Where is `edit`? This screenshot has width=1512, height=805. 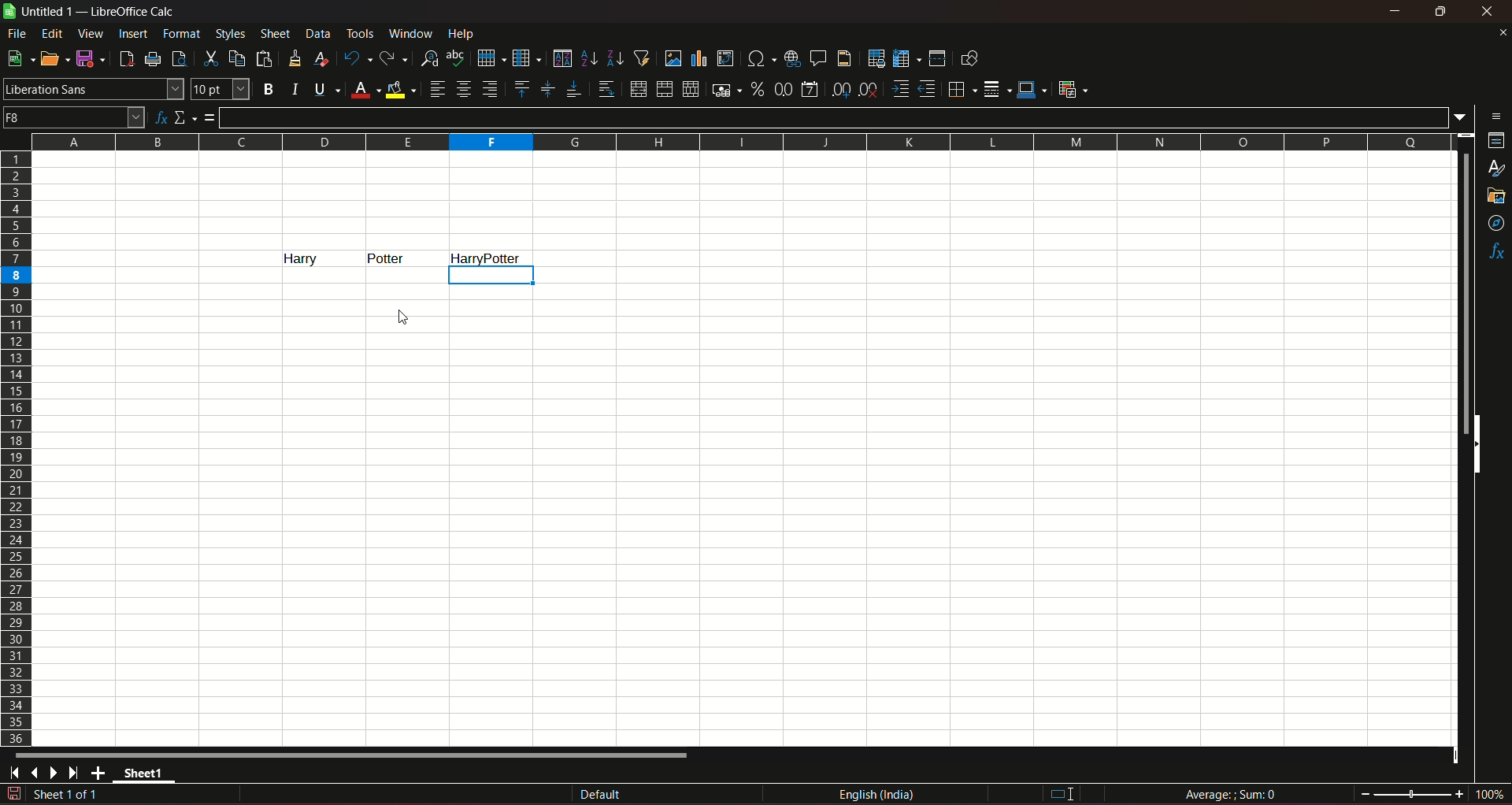 edit is located at coordinates (53, 33).